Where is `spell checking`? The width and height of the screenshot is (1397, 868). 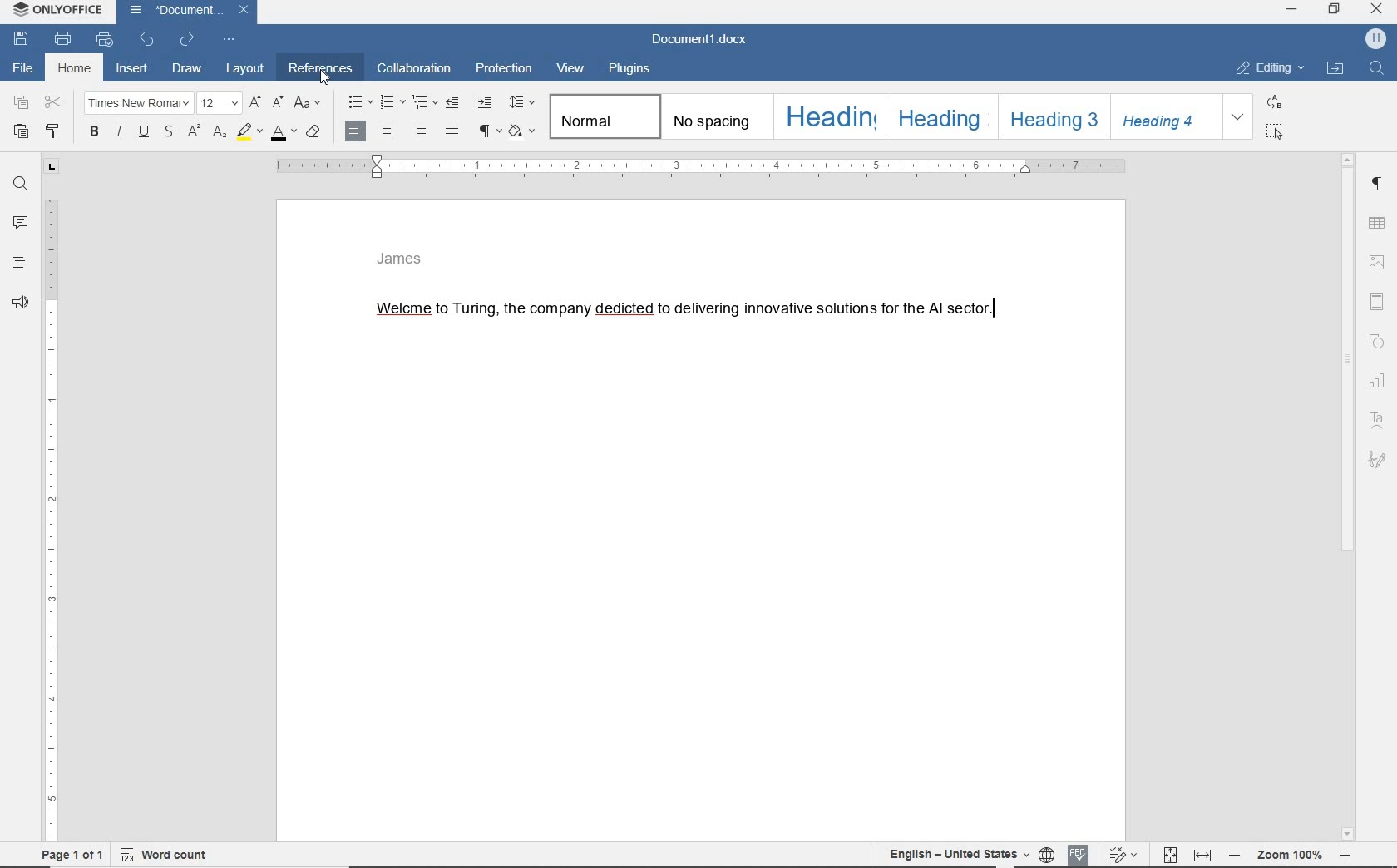 spell checking is located at coordinates (1079, 854).